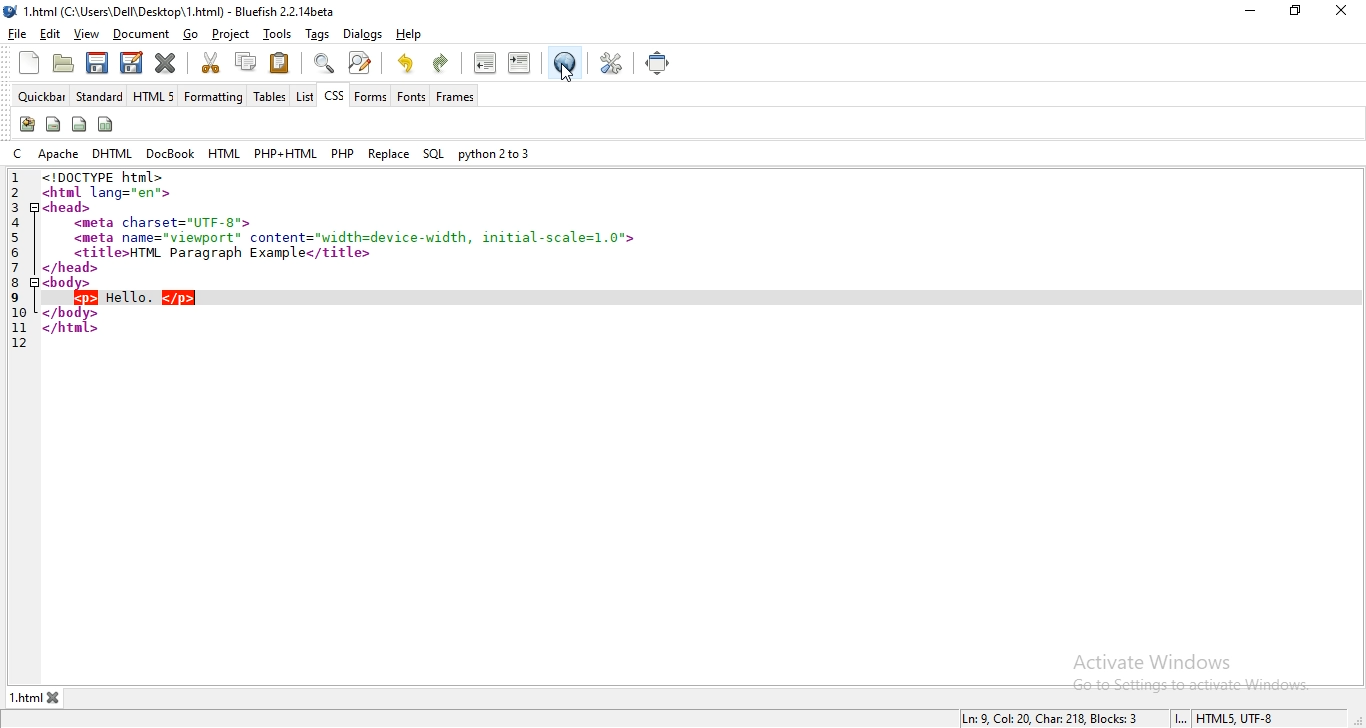  What do you see at coordinates (564, 64) in the screenshot?
I see `preview in browser` at bounding box center [564, 64].